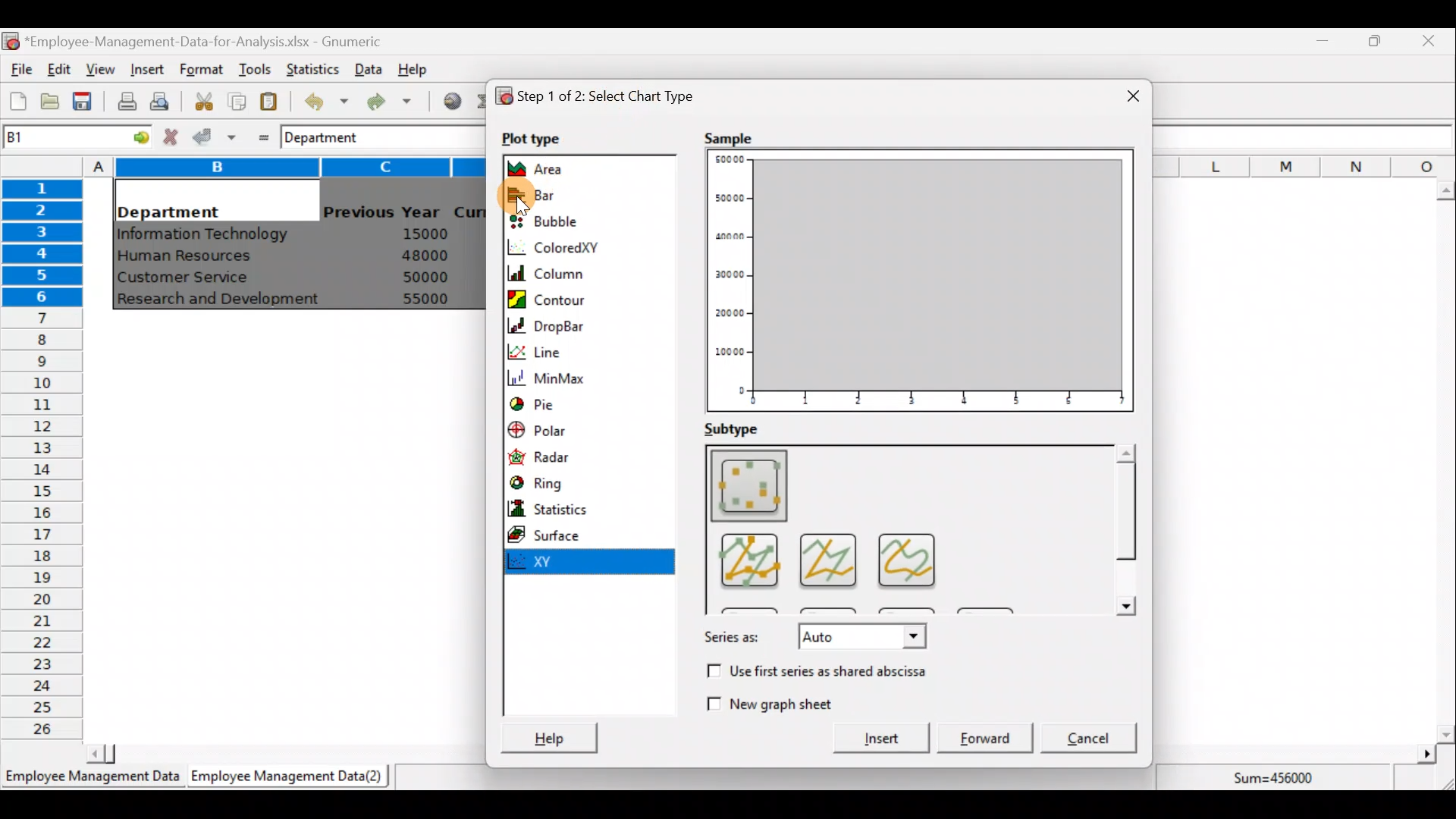 This screenshot has width=1456, height=819. What do you see at coordinates (1294, 755) in the screenshot?
I see `Scroll bar` at bounding box center [1294, 755].